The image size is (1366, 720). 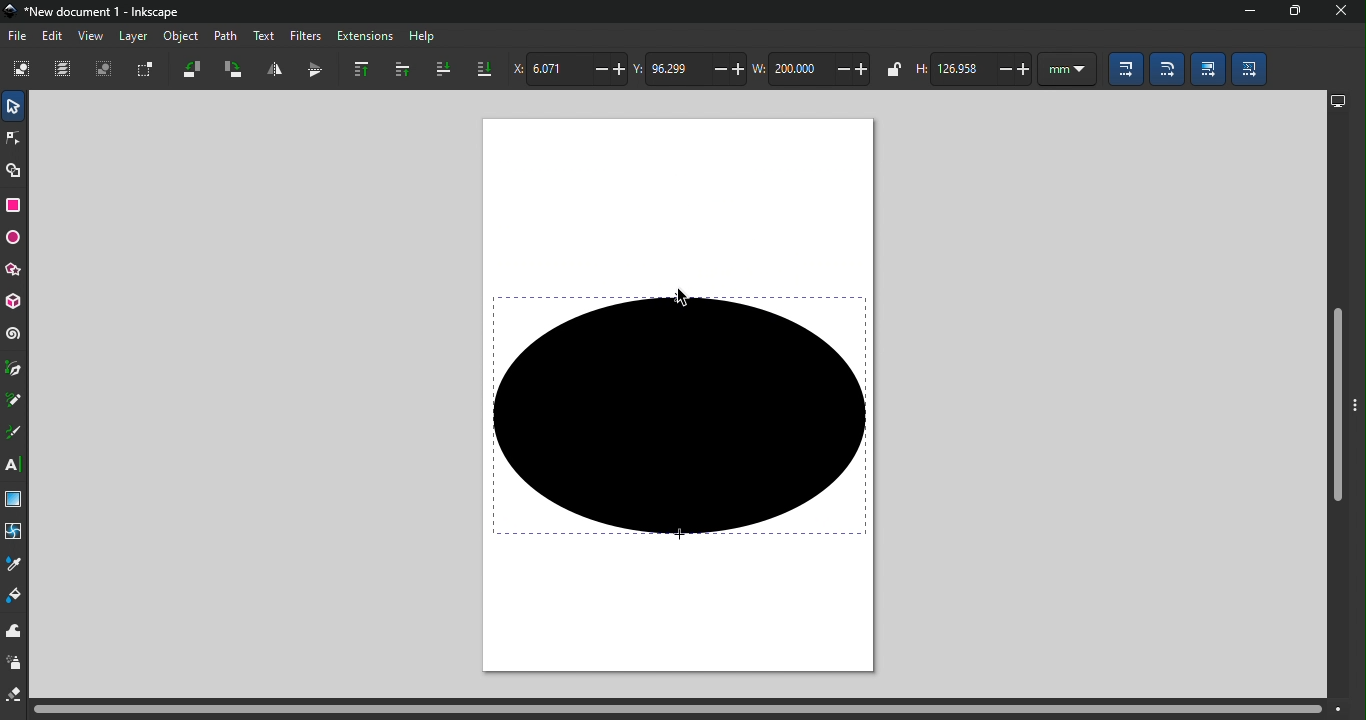 I want to click on cursor, so click(x=687, y=301).